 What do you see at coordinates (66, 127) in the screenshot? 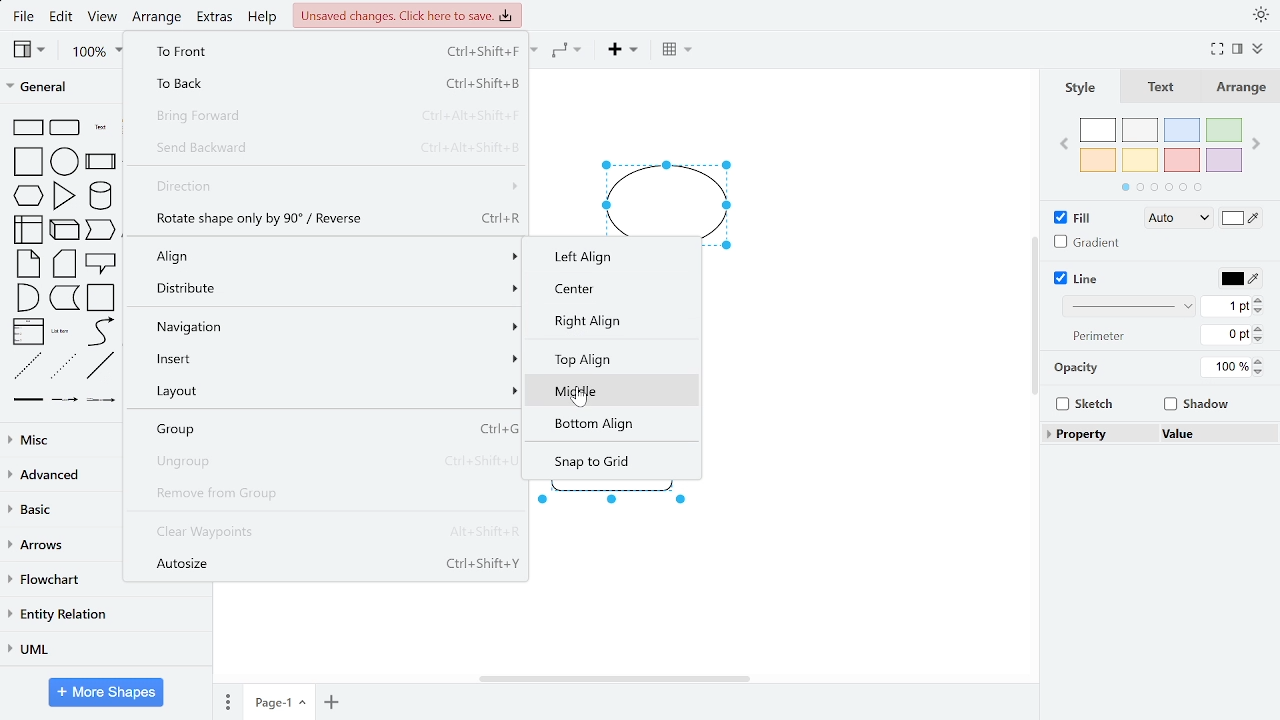
I see `rounded rectangle` at bounding box center [66, 127].